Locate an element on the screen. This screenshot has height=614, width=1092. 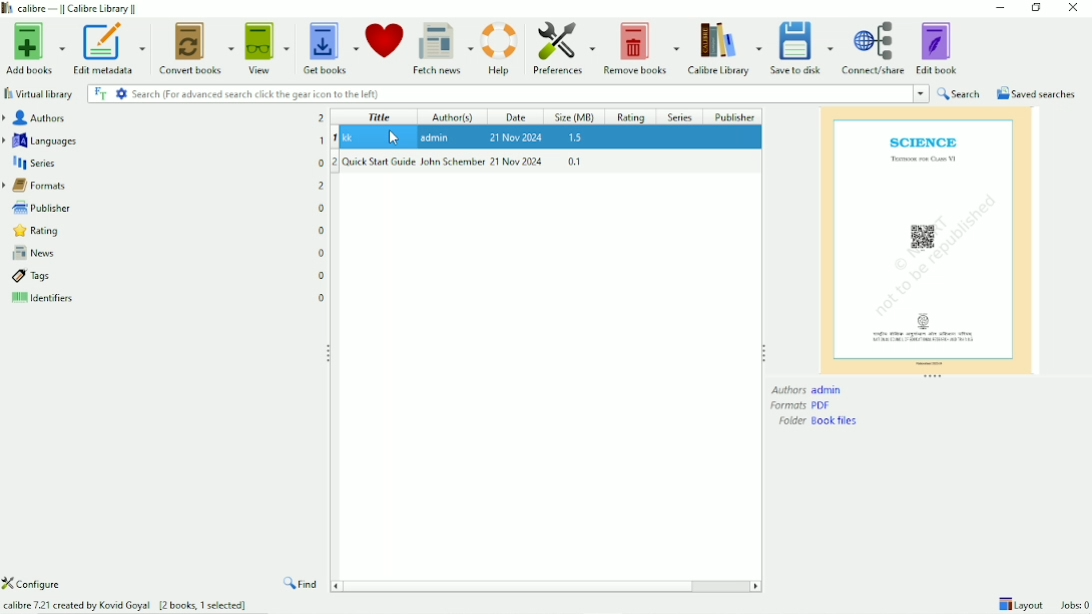
1 is located at coordinates (322, 140).